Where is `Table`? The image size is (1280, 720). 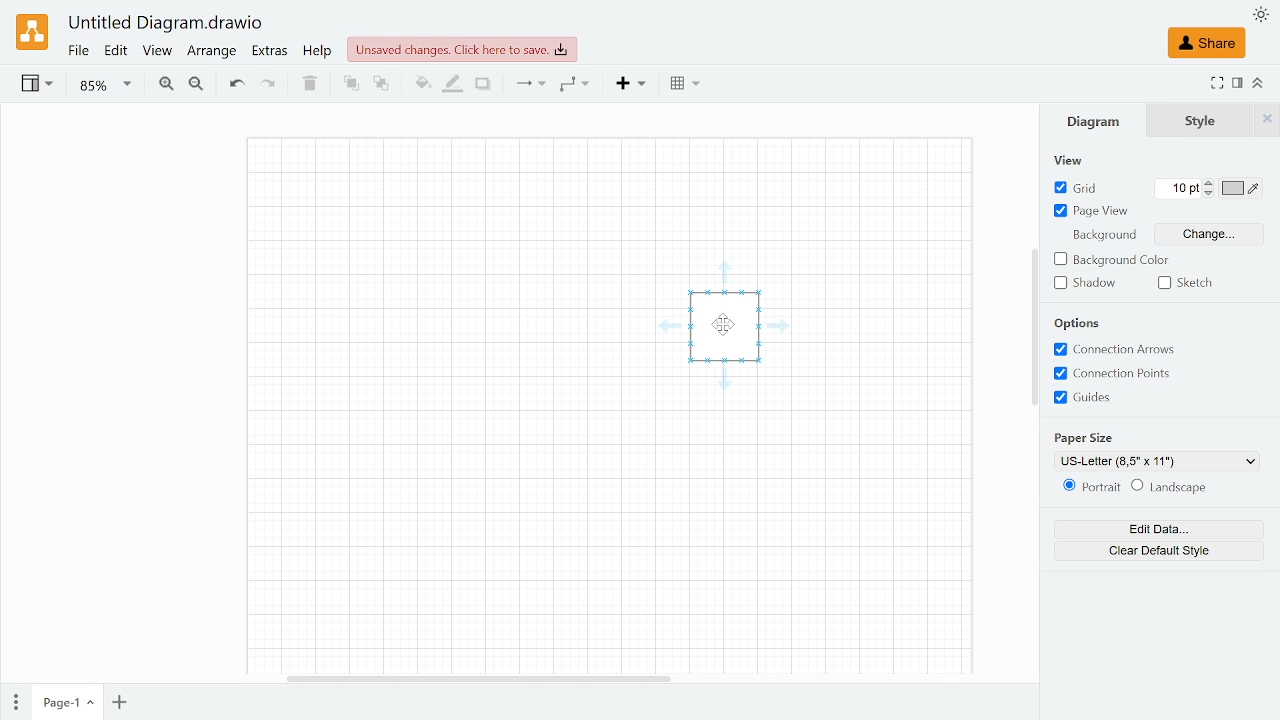
Table is located at coordinates (685, 85).